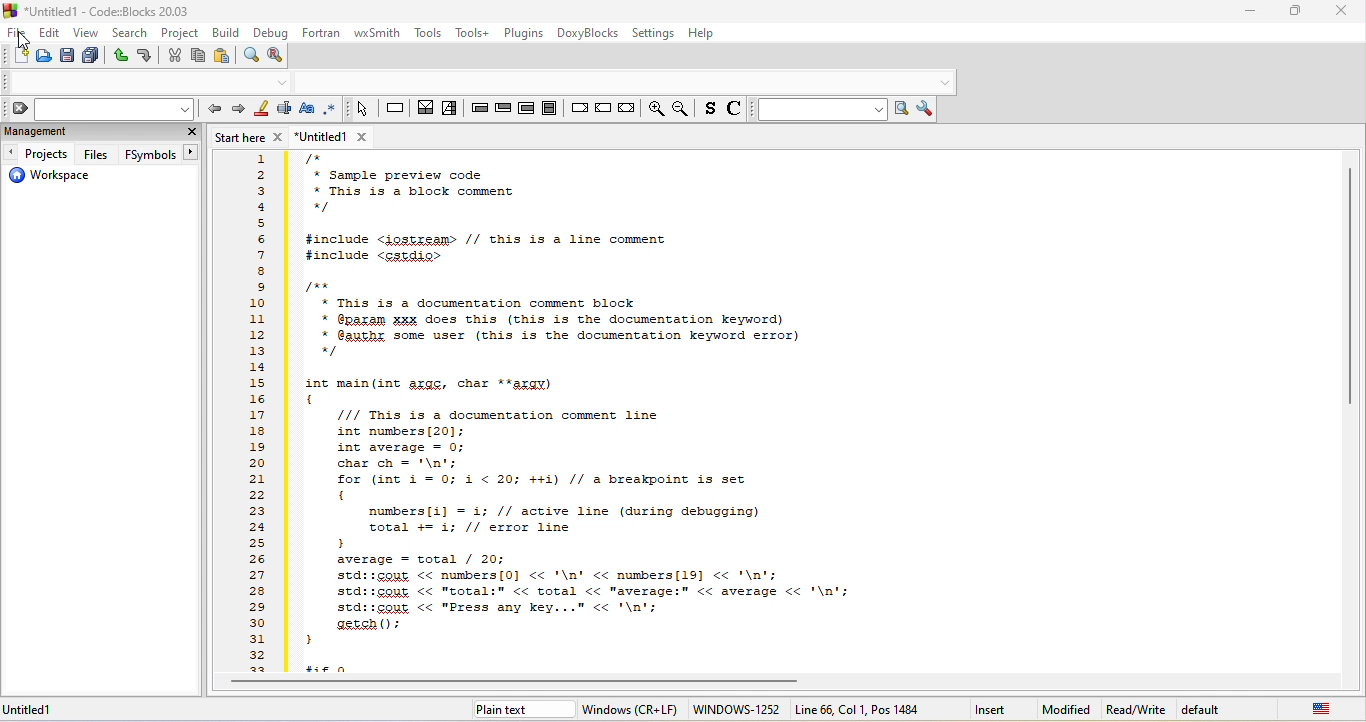  I want to click on match case, so click(310, 111).